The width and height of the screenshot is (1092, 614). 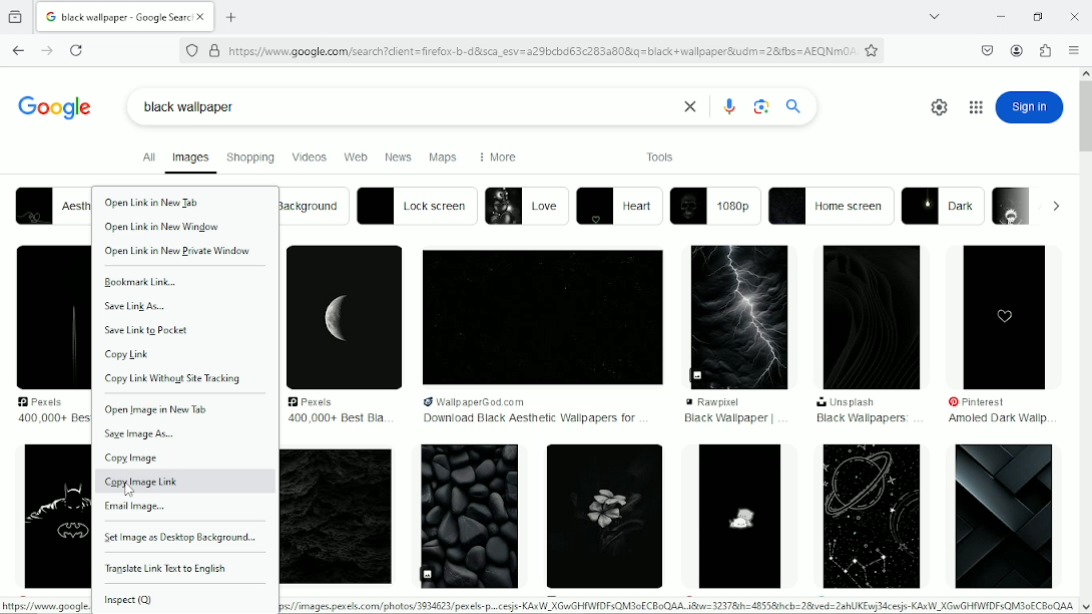 What do you see at coordinates (1056, 206) in the screenshot?
I see `dropdown` at bounding box center [1056, 206].